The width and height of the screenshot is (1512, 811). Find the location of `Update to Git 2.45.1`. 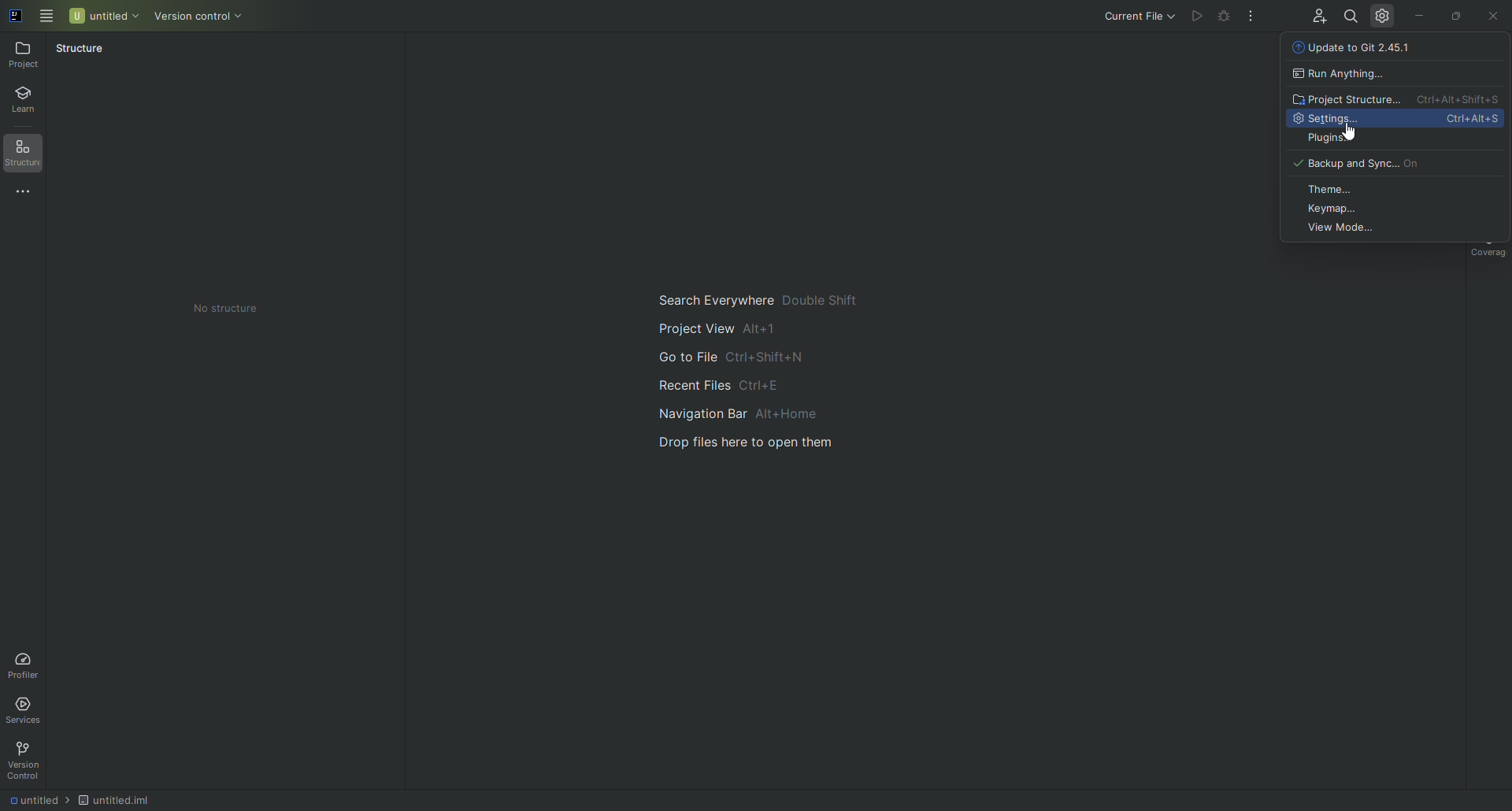

Update to Git 2.45.1 is located at coordinates (1362, 46).